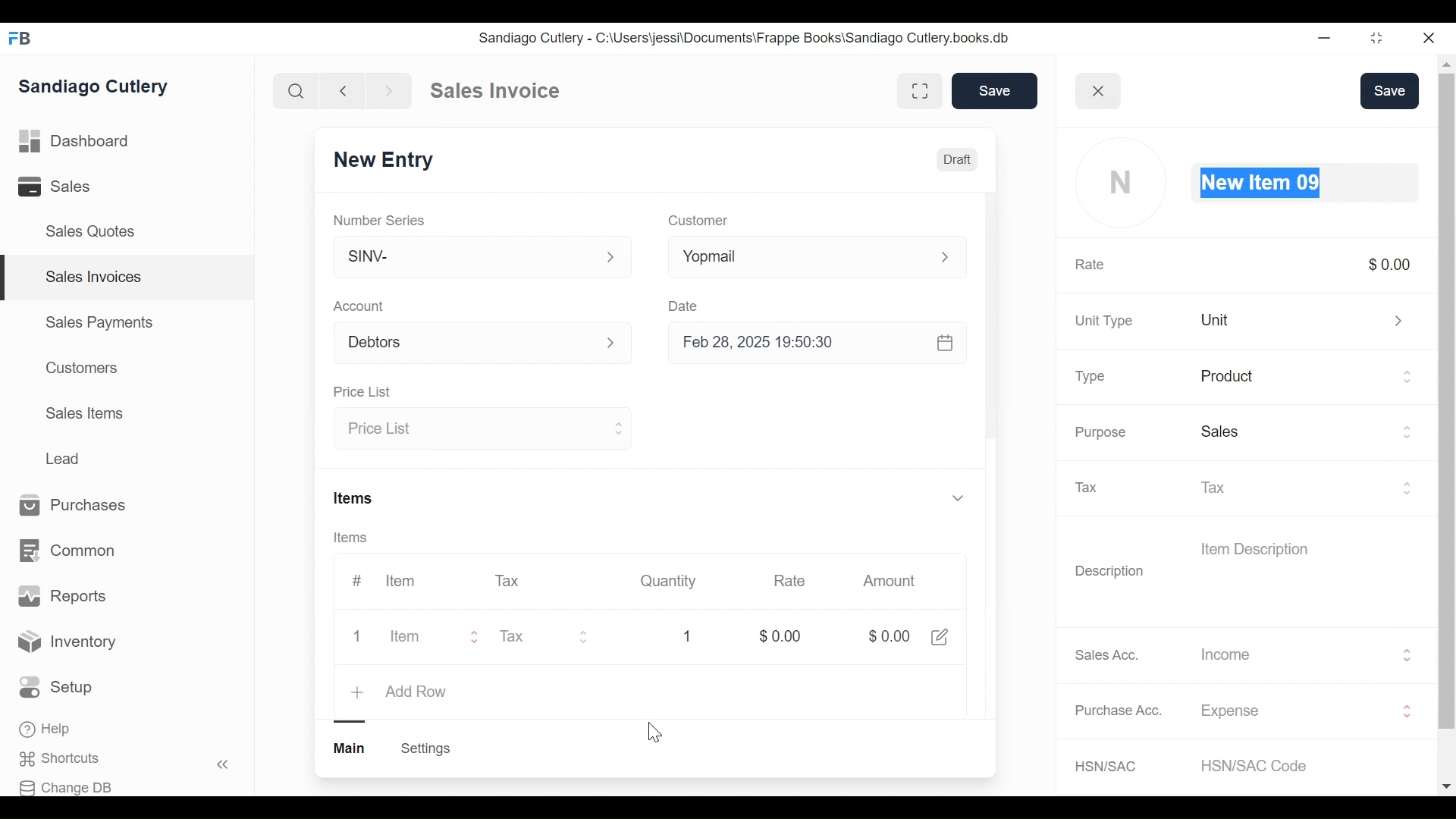 This screenshot has height=819, width=1456. I want to click on share, so click(940, 635).